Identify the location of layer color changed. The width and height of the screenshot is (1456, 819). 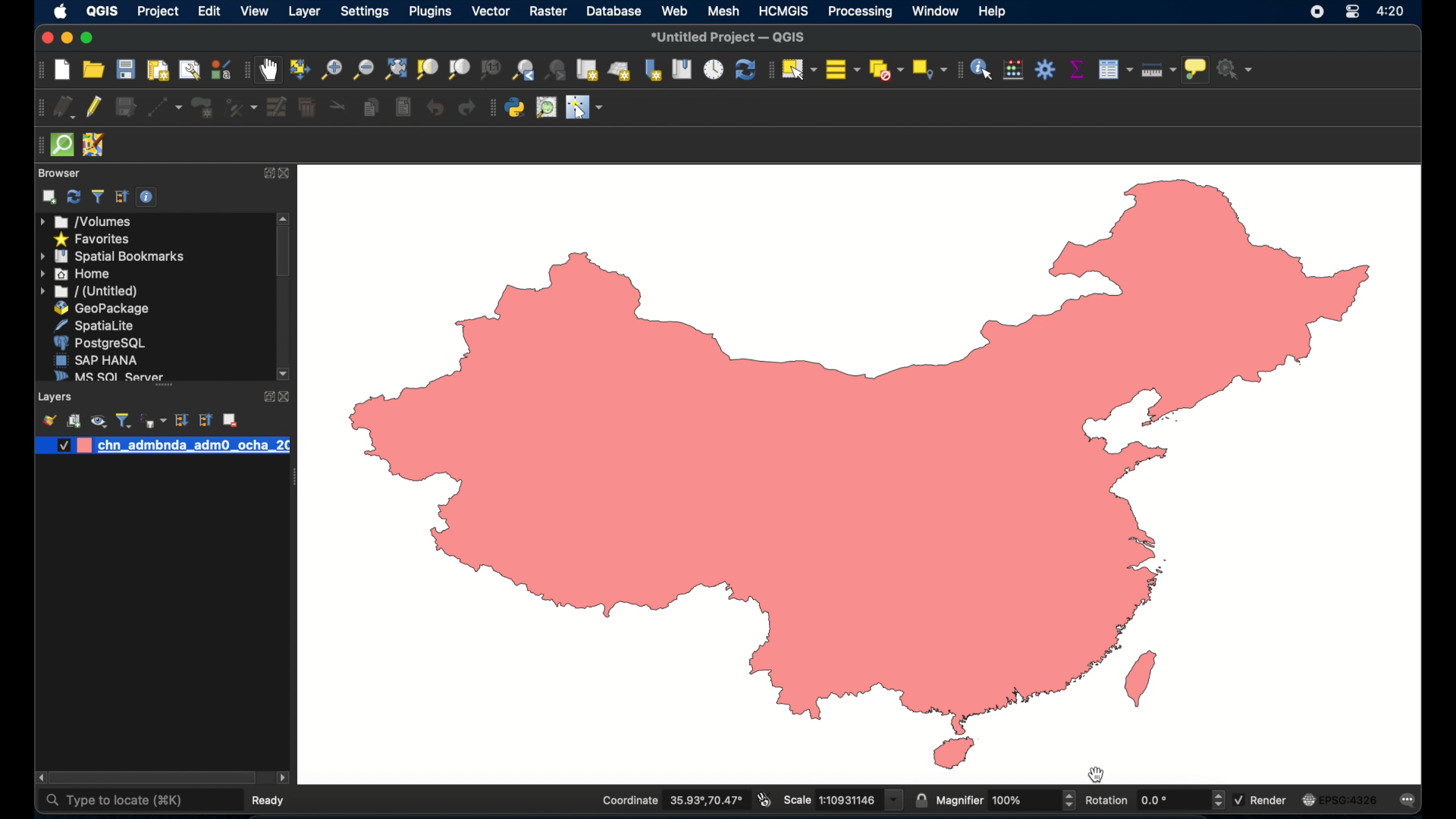
(83, 445).